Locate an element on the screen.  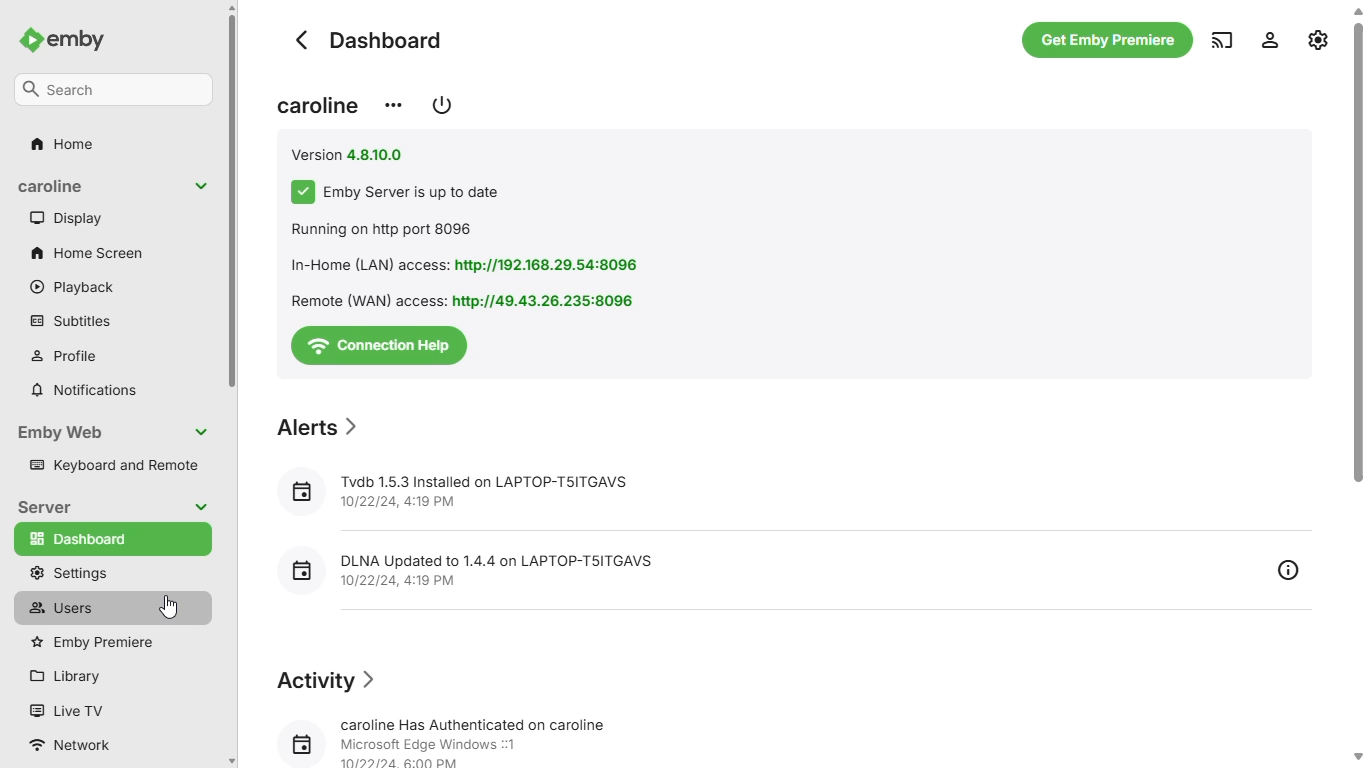
settings is located at coordinates (68, 573).